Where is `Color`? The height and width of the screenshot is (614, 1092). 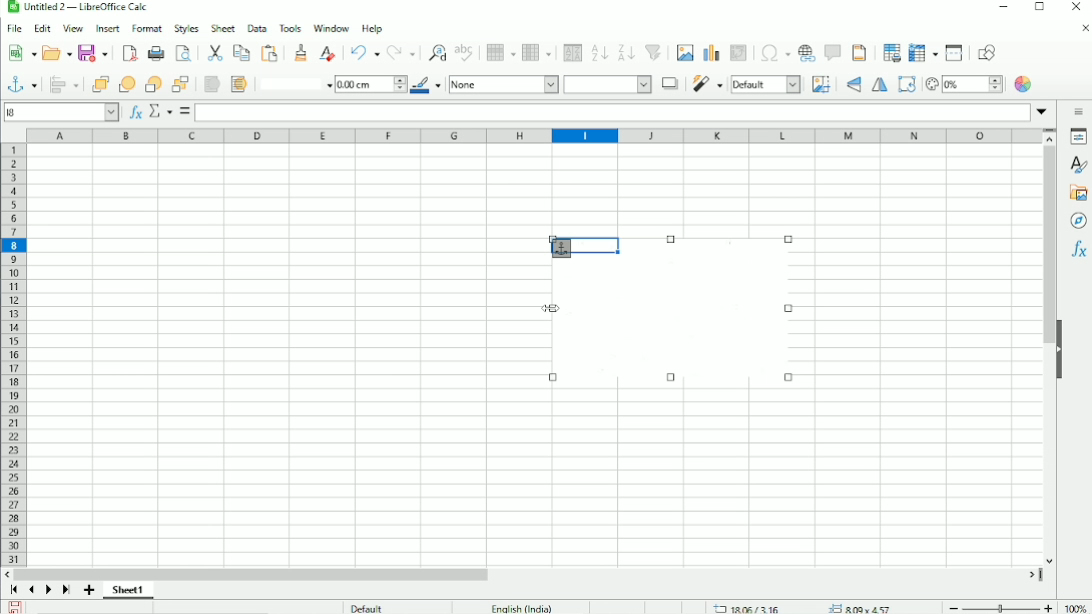 Color is located at coordinates (1025, 84).